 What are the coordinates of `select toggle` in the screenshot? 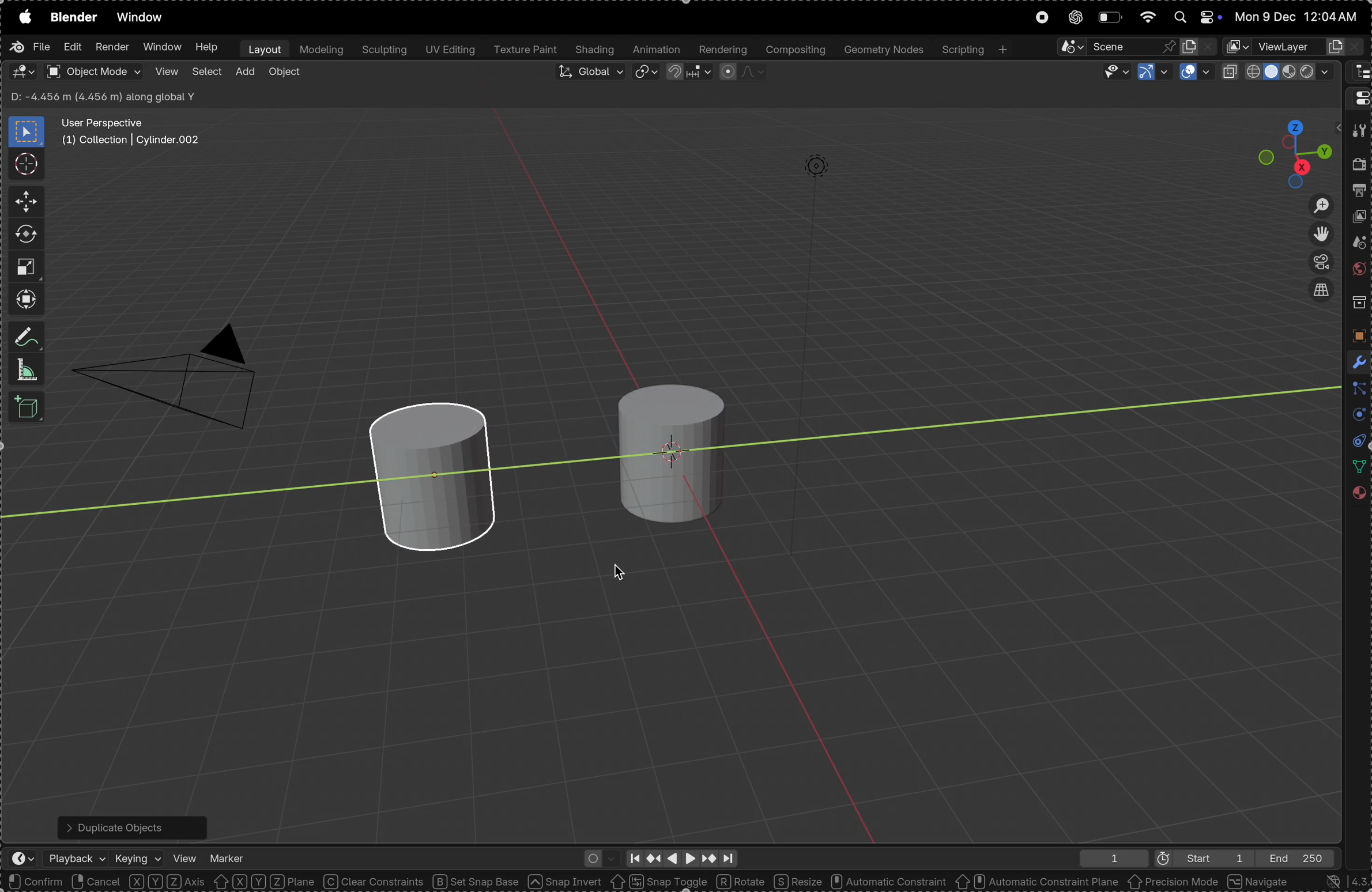 It's located at (52, 882).